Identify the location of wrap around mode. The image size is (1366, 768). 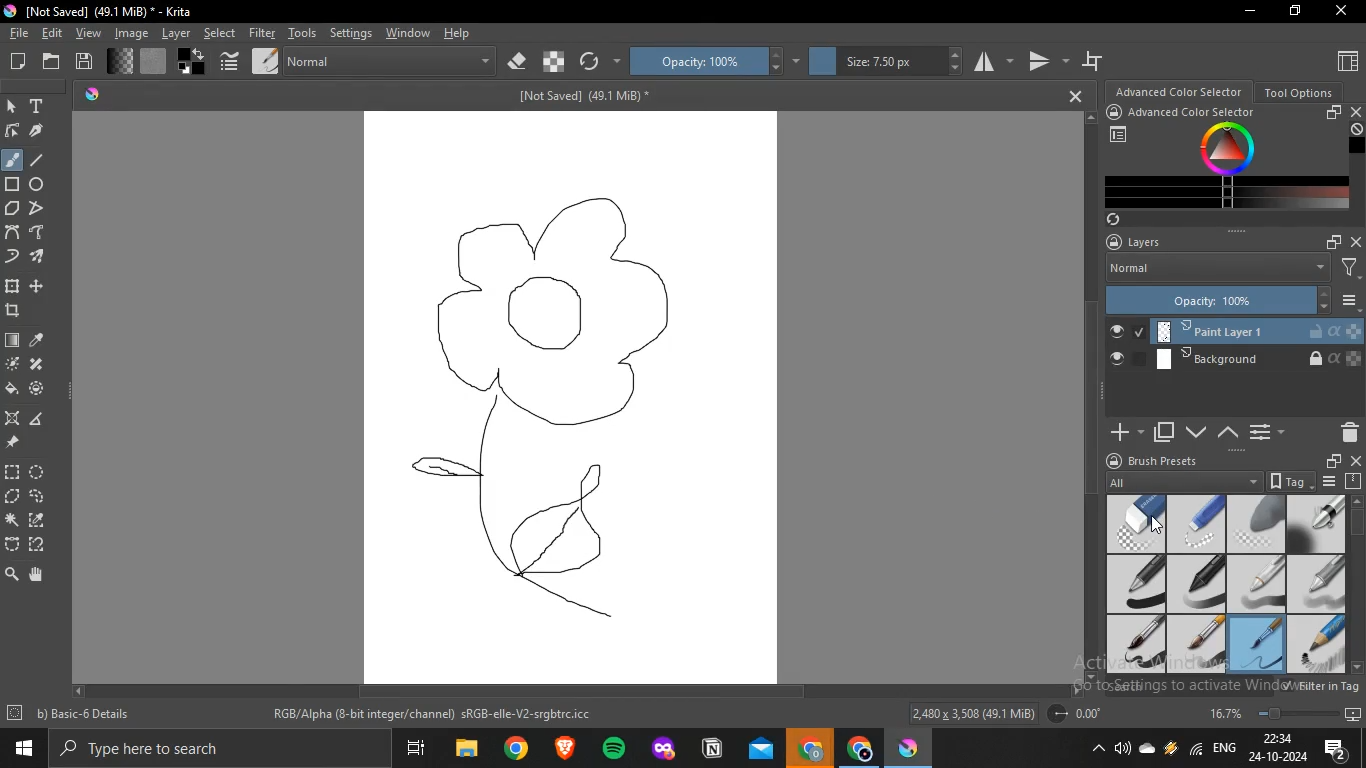
(1095, 60).